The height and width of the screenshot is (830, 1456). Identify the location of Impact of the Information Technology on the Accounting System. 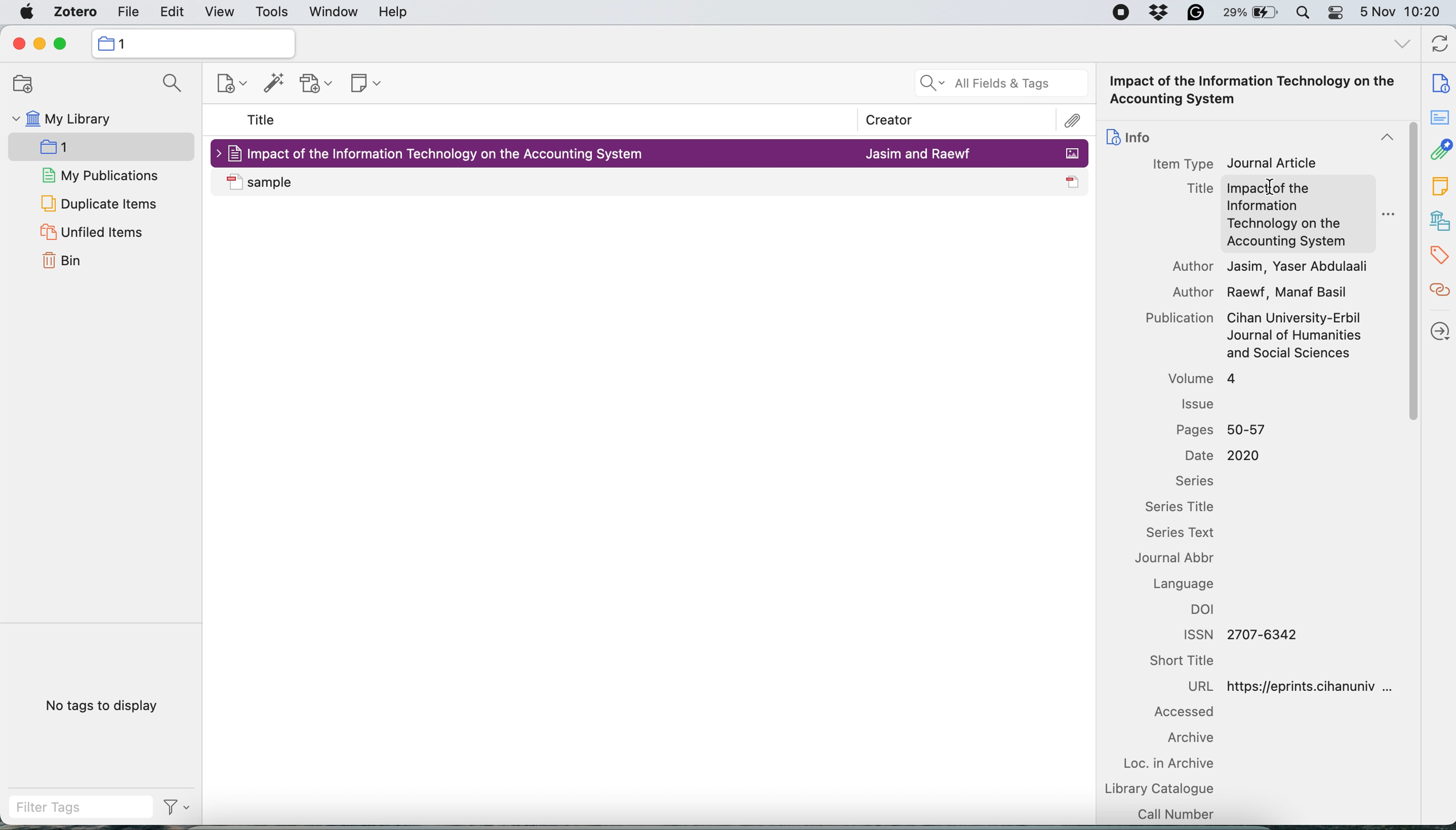
(1254, 91).